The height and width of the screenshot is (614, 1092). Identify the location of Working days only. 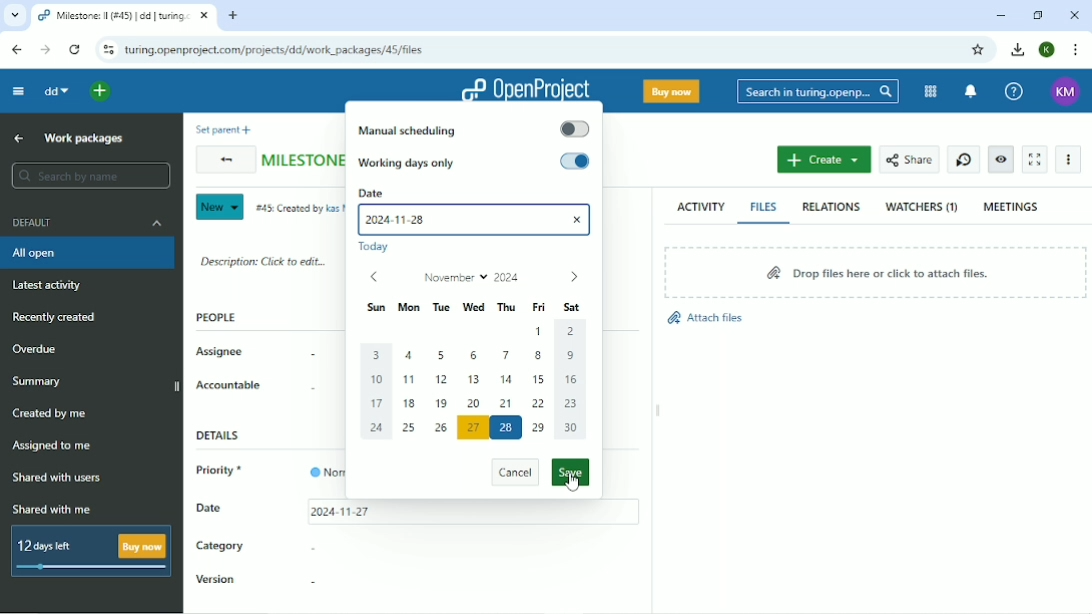
(410, 163).